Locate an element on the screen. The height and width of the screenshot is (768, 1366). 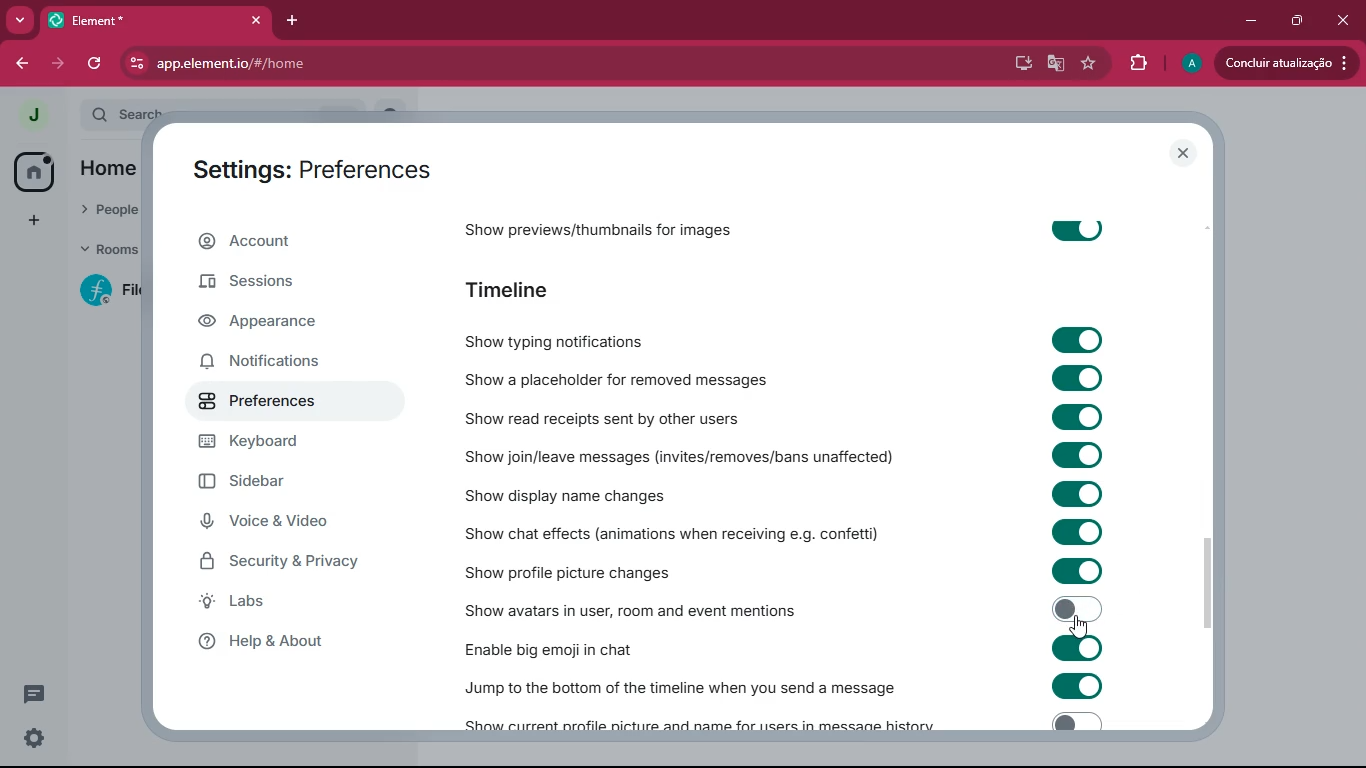
show profile picture changes is located at coordinates (613, 569).